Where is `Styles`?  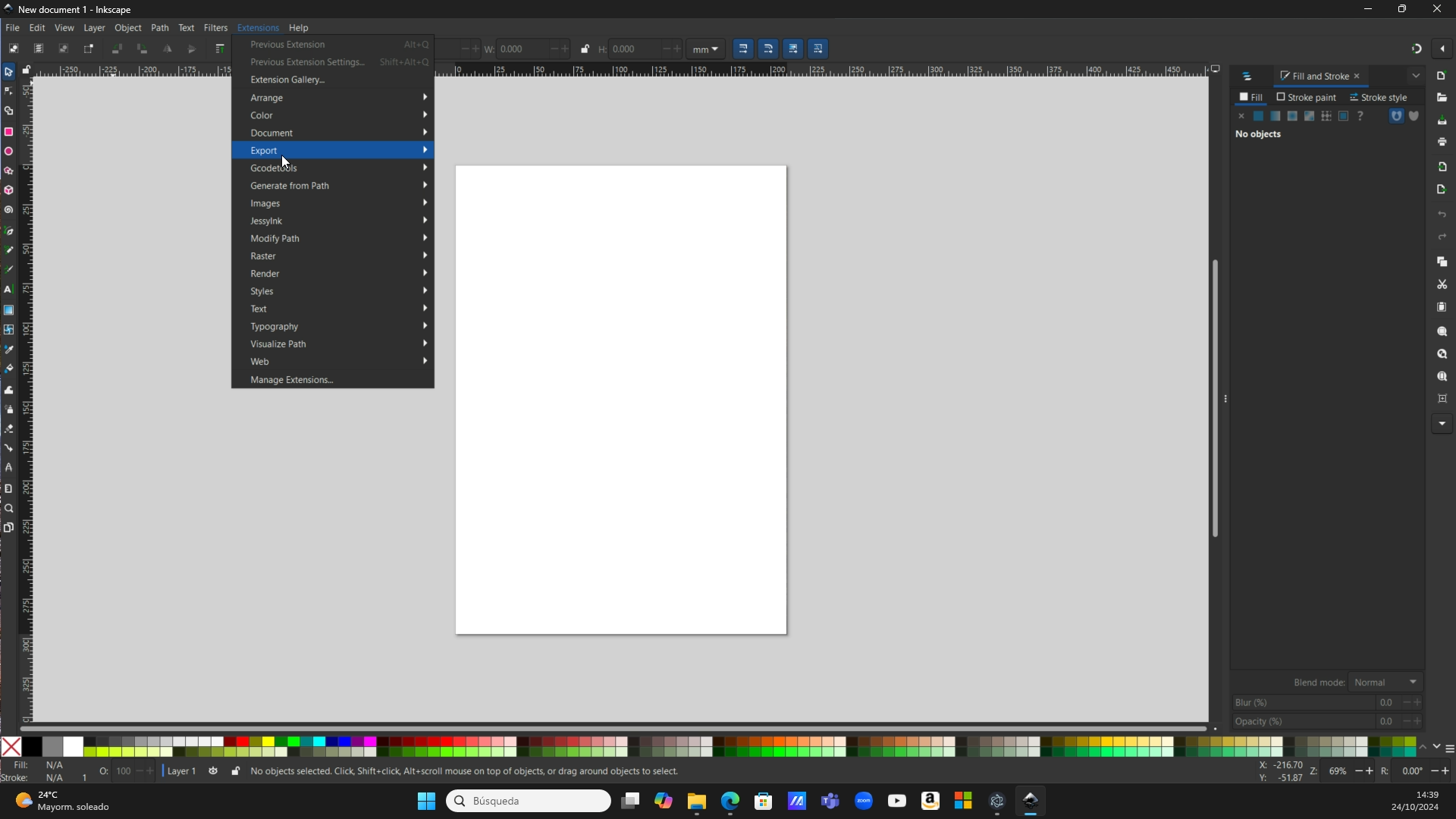 Styles is located at coordinates (341, 291).